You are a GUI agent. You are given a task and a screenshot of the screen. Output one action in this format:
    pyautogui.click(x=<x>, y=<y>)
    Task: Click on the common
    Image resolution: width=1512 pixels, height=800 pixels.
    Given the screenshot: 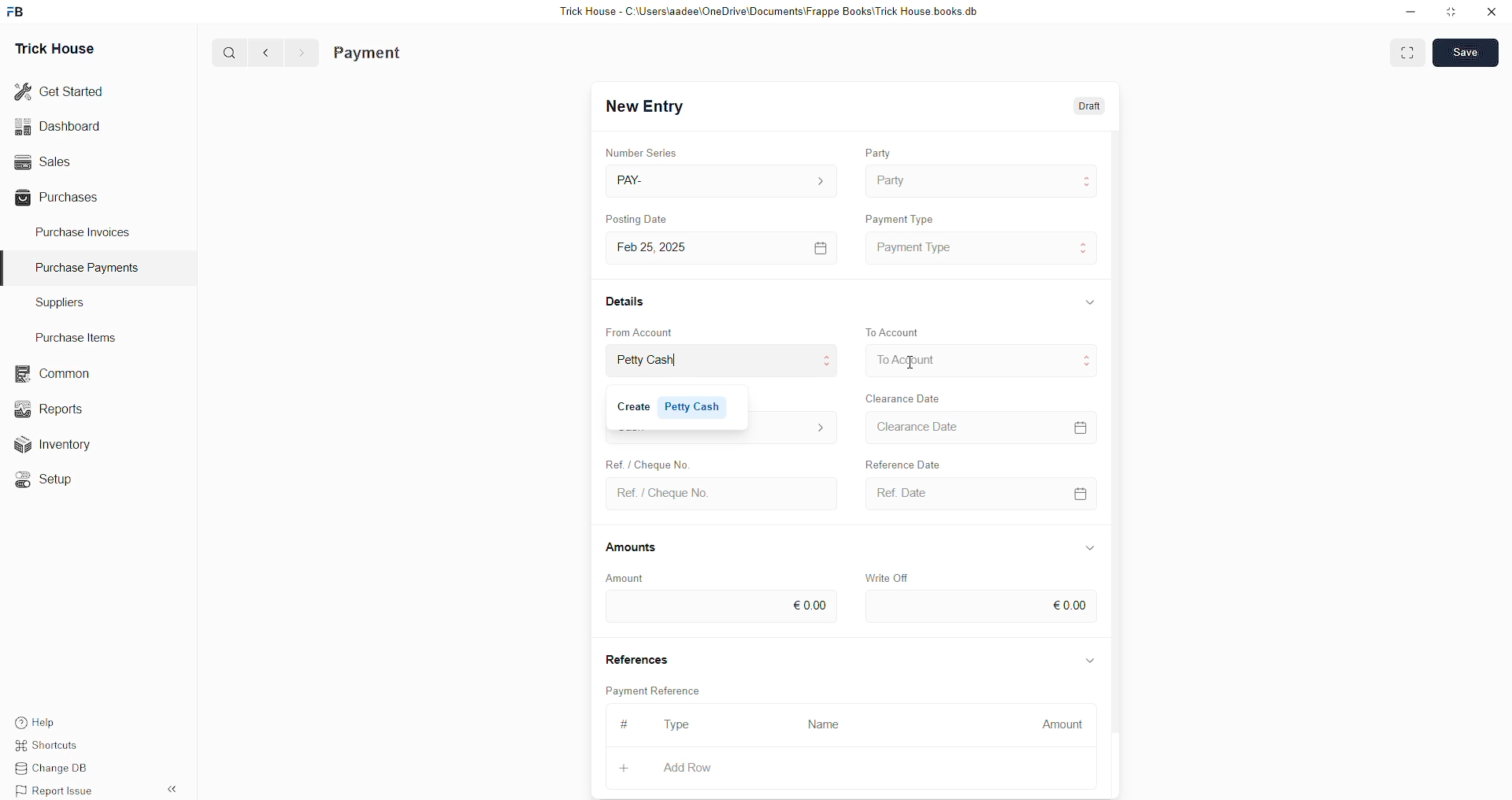 What is the action you would take?
    pyautogui.click(x=55, y=374)
    